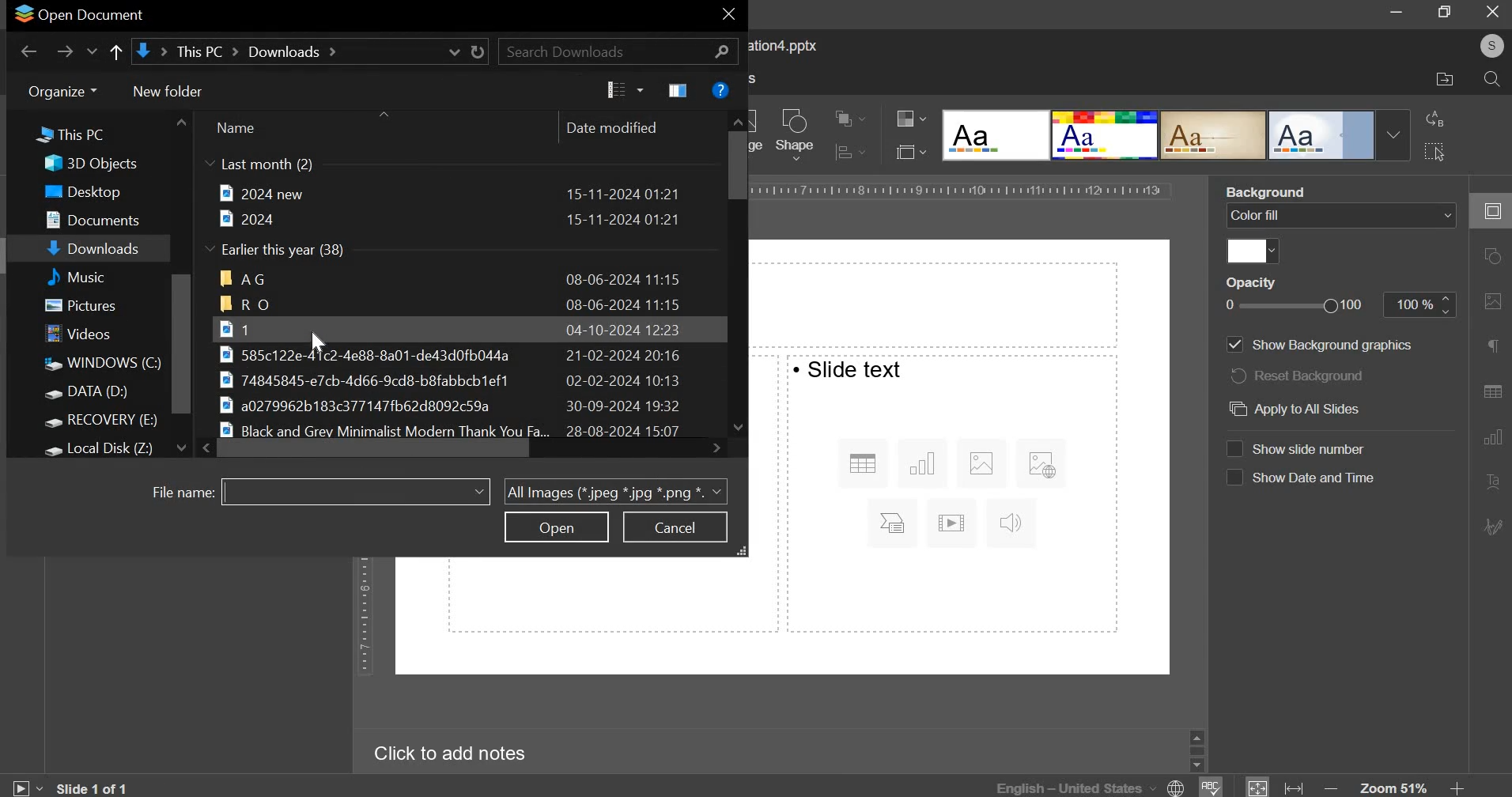  I want to click on exit, so click(728, 17).